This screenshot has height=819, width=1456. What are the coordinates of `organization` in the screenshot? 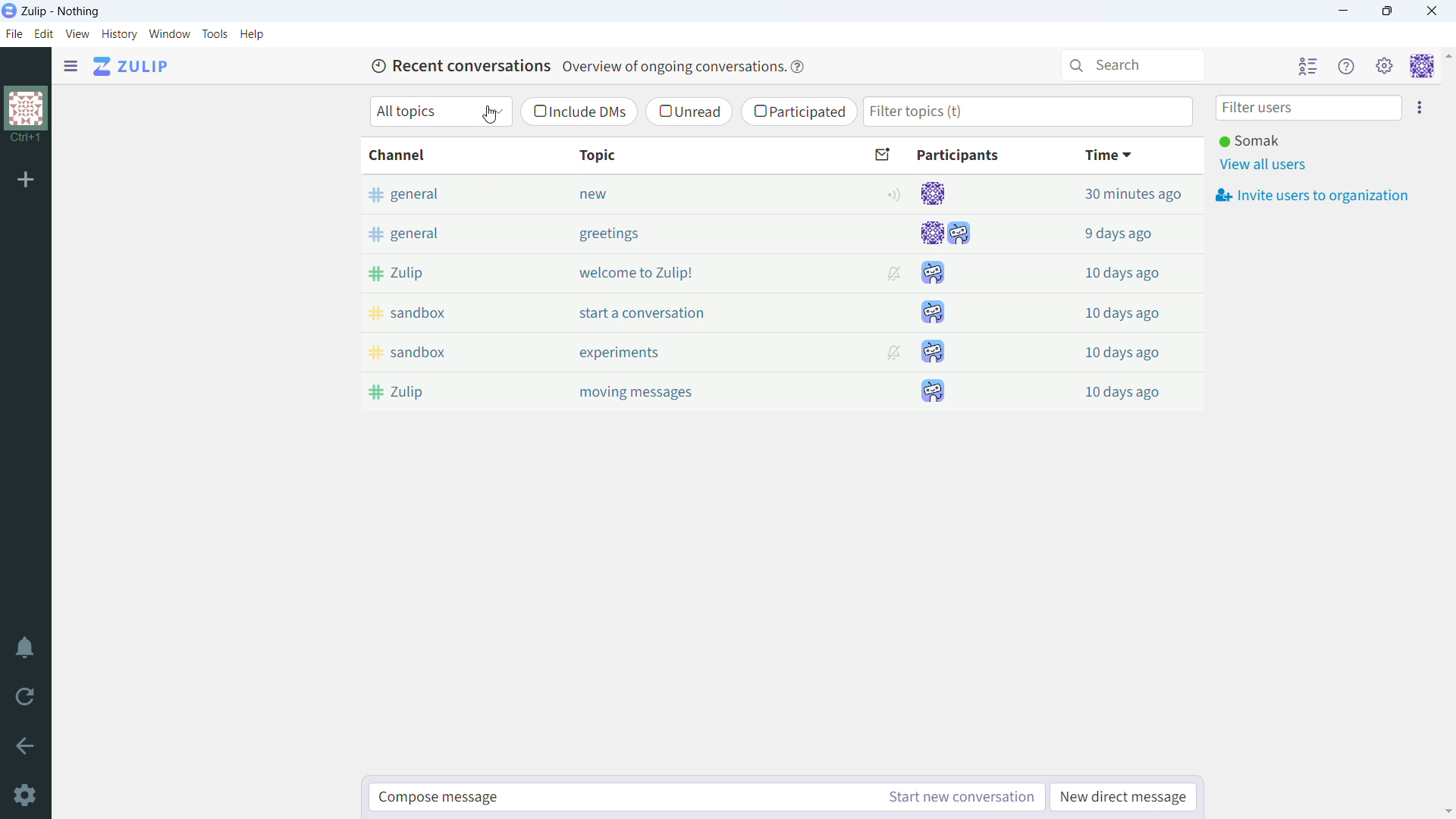 It's located at (26, 115).